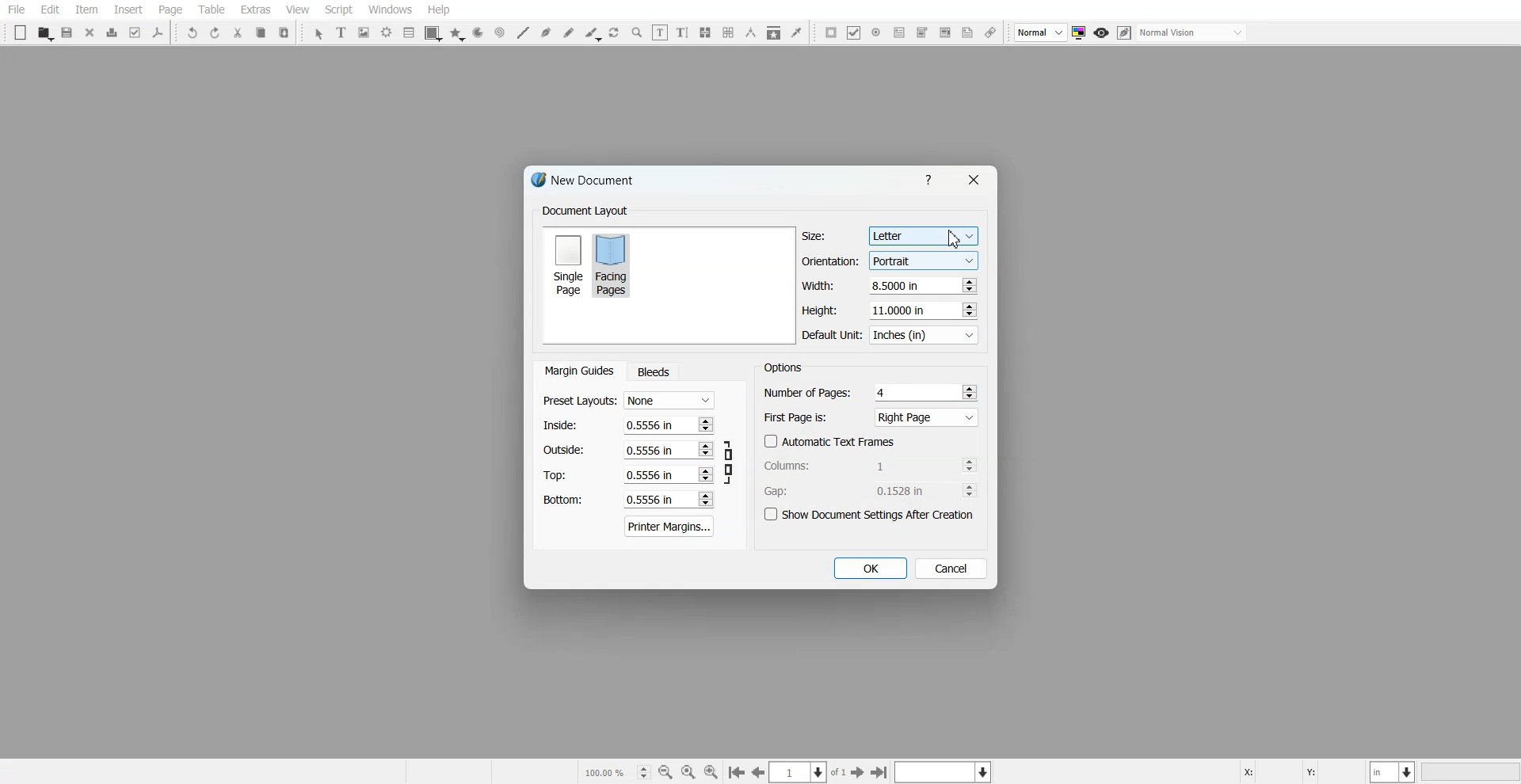 The image size is (1521, 784). I want to click on Increase and decrease No. , so click(705, 475).